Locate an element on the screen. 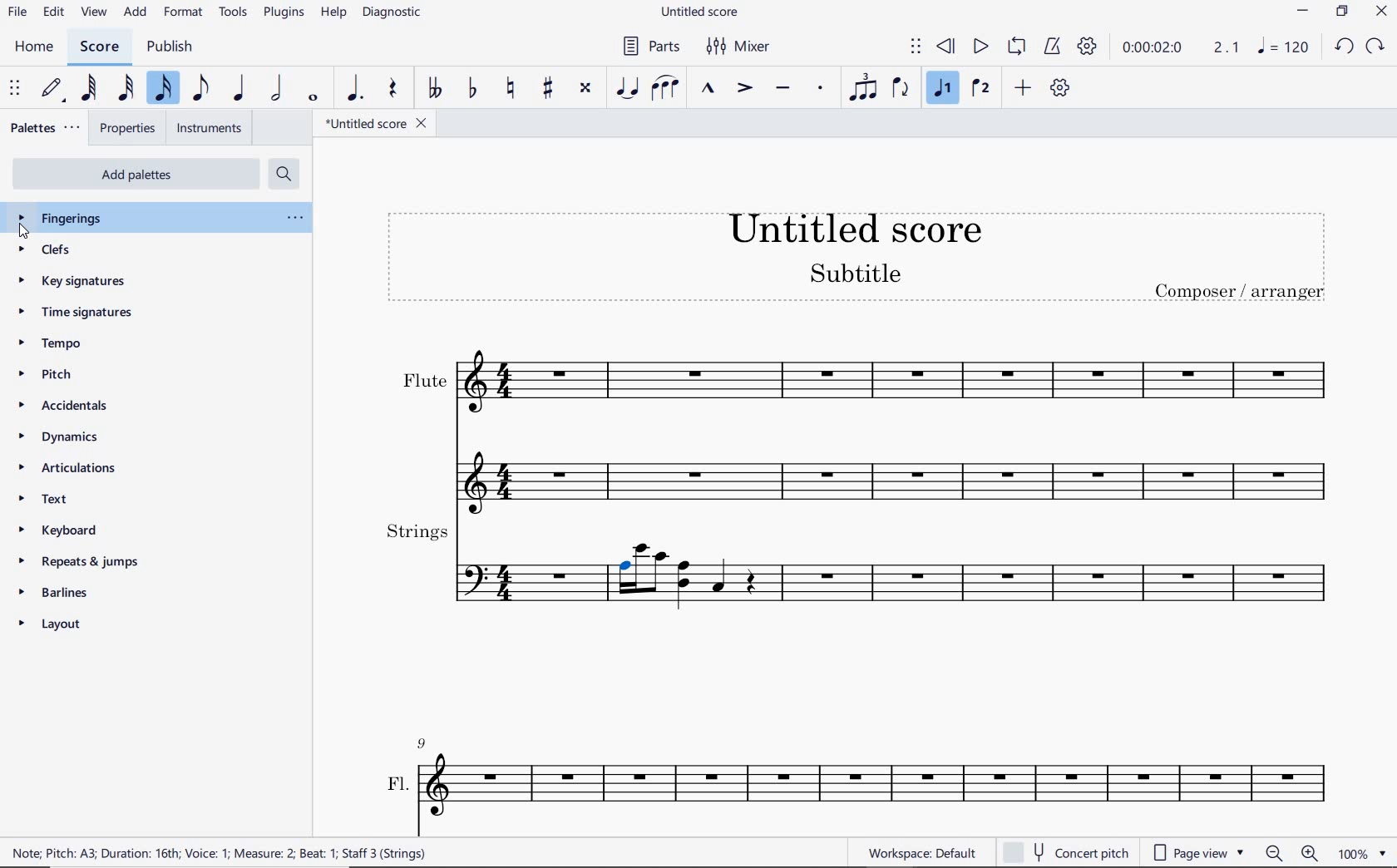  flute is located at coordinates (859, 421).